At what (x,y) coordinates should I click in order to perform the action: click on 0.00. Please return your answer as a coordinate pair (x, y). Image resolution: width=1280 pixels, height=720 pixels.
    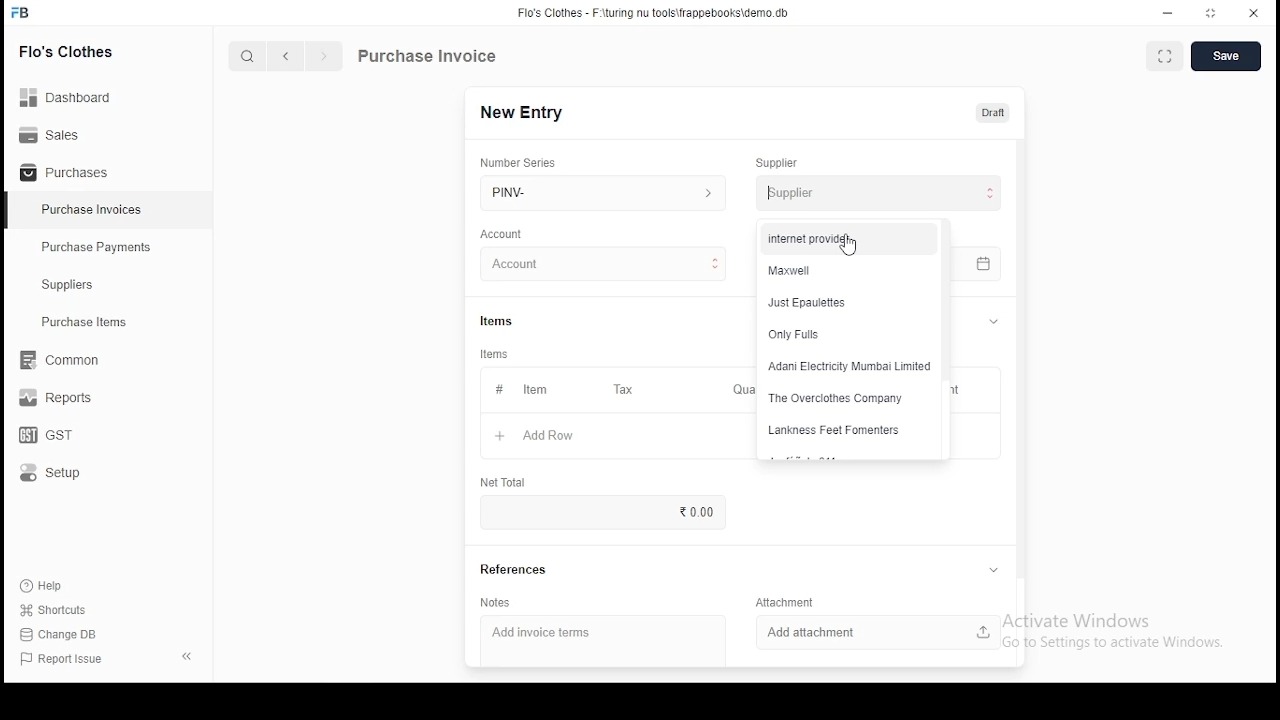
    Looking at the image, I should click on (693, 511).